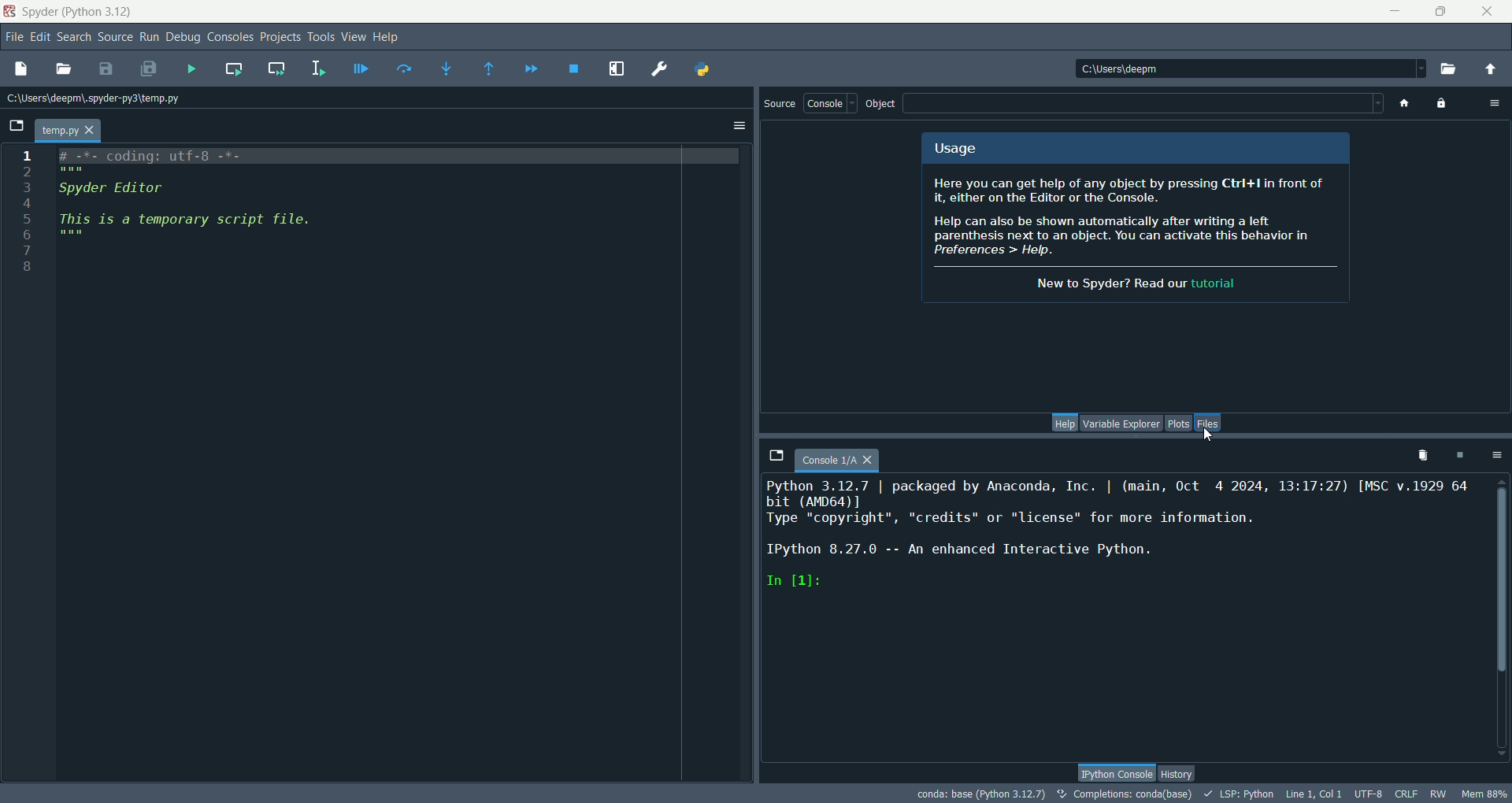 This screenshot has height=803, width=1512. Describe the element at coordinates (148, 70) in the screenshot. I see `save all files` at that location.